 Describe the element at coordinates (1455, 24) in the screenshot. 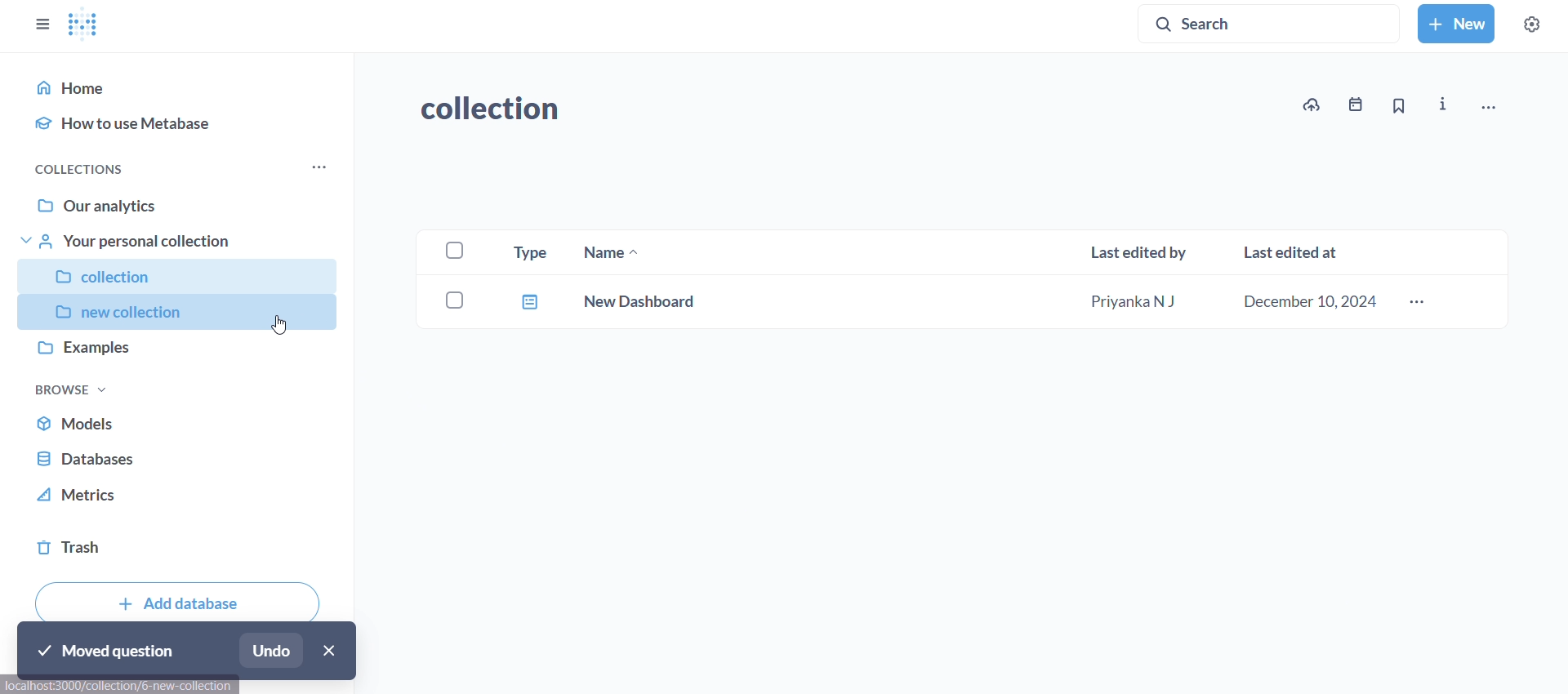

I see `new` at that location.